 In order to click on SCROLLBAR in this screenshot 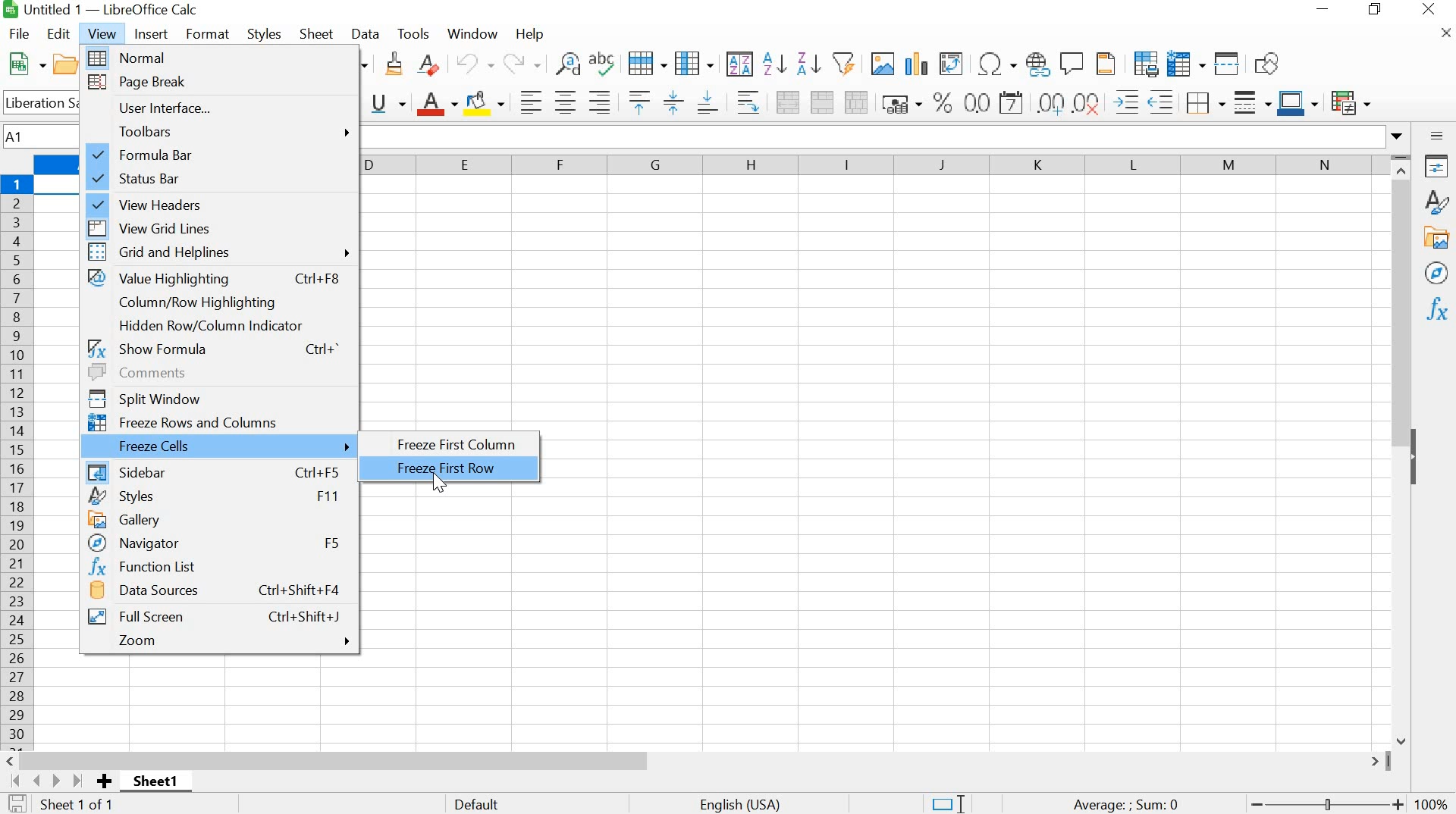, I will do `click(697, 760)`.